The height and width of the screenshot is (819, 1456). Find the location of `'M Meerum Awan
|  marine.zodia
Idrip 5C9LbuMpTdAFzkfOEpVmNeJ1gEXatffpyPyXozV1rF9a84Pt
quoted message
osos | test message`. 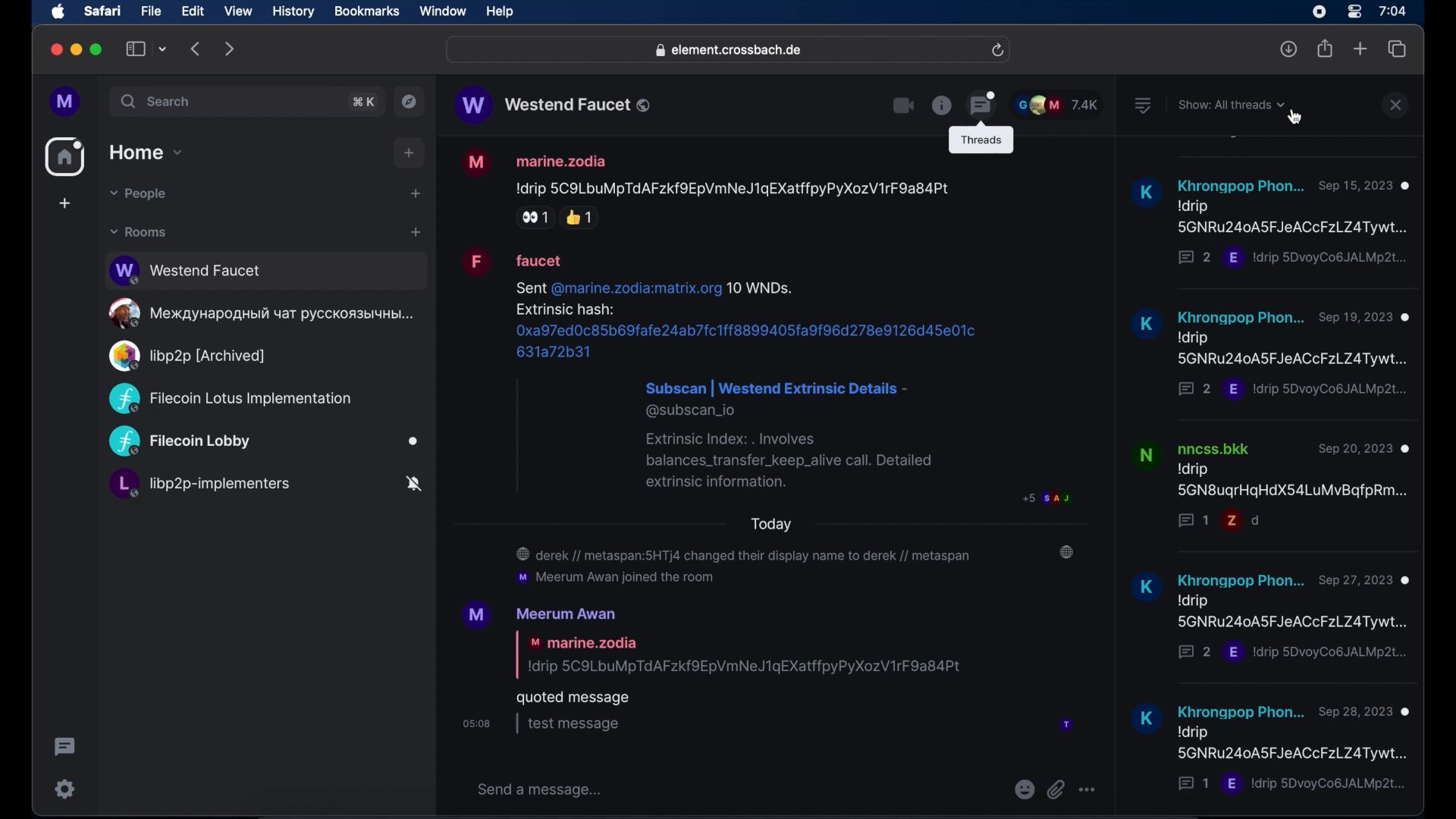

'M Meerum Awan
|  marine.zodia
Idrip 5C9LbuMpTdAFzkfOEpVmNeJ1gEXatffpyPyXozV1rF9a84Pt
quoted message
osos | test message is located at coordinates (725, 666).